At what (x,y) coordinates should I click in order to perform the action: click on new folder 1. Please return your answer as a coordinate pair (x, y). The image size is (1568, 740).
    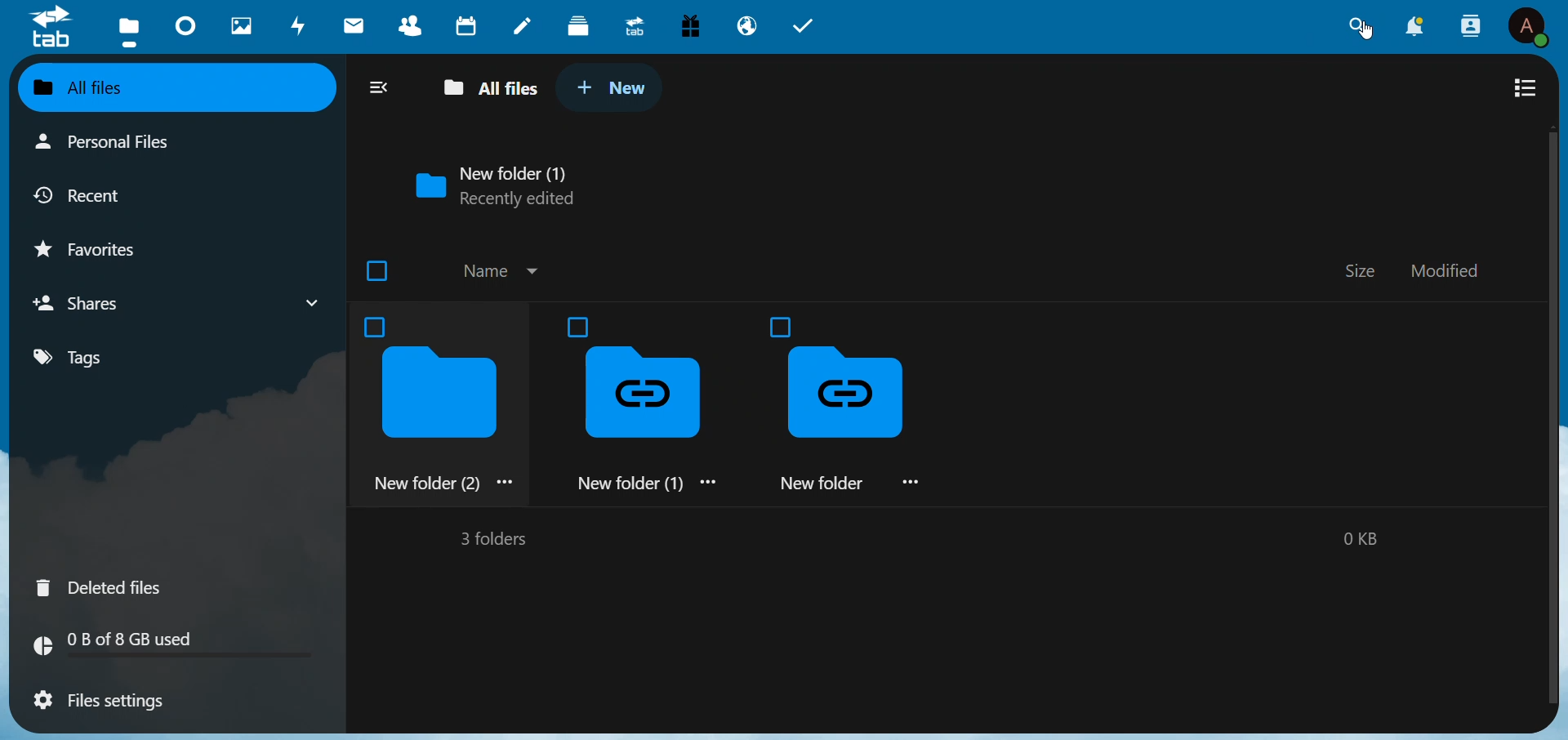
    Looking at the image, I should click on (533, 184).